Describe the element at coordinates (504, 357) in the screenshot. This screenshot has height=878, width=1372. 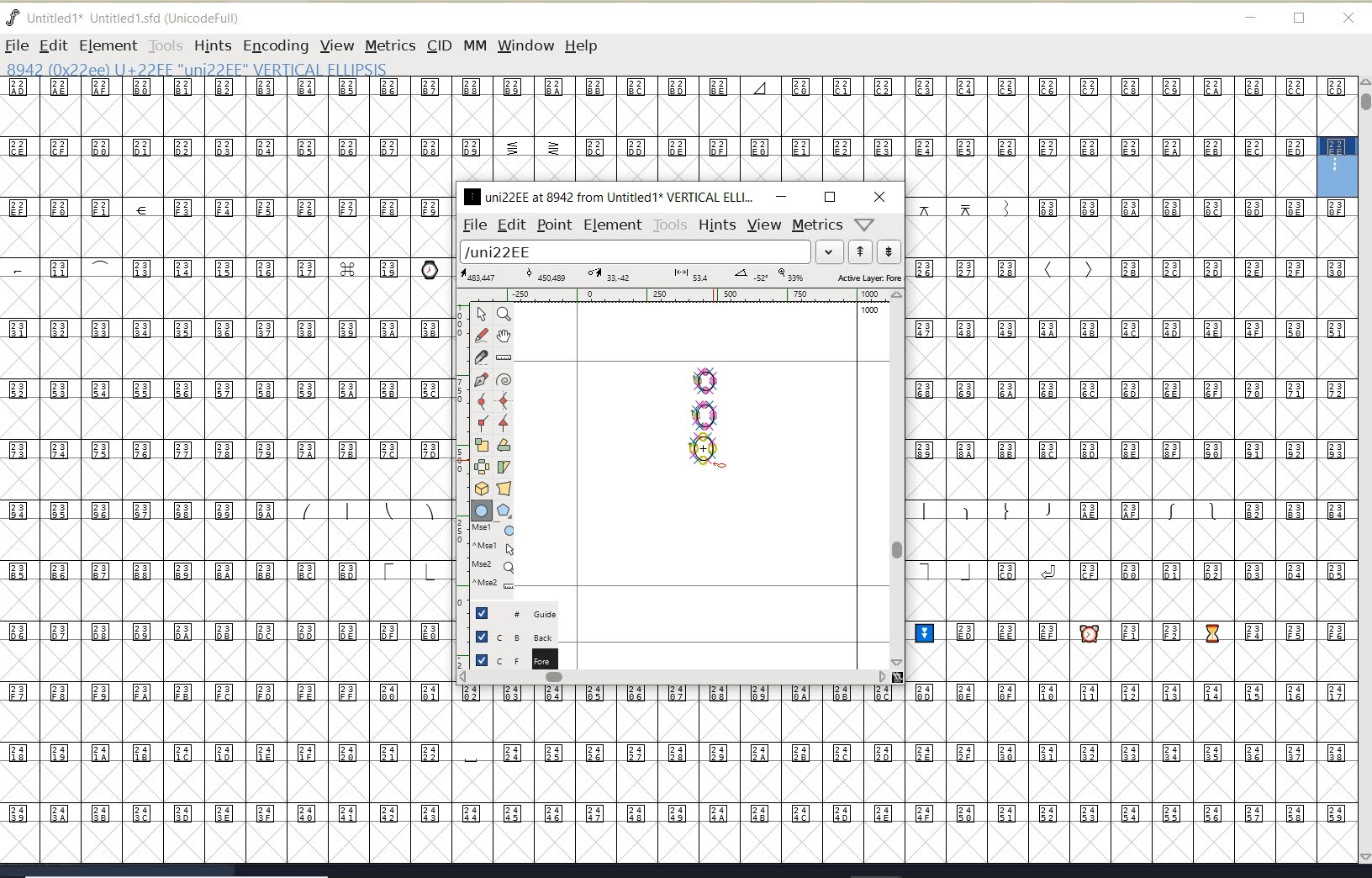
I see `measure distance, angle between points` at that location.